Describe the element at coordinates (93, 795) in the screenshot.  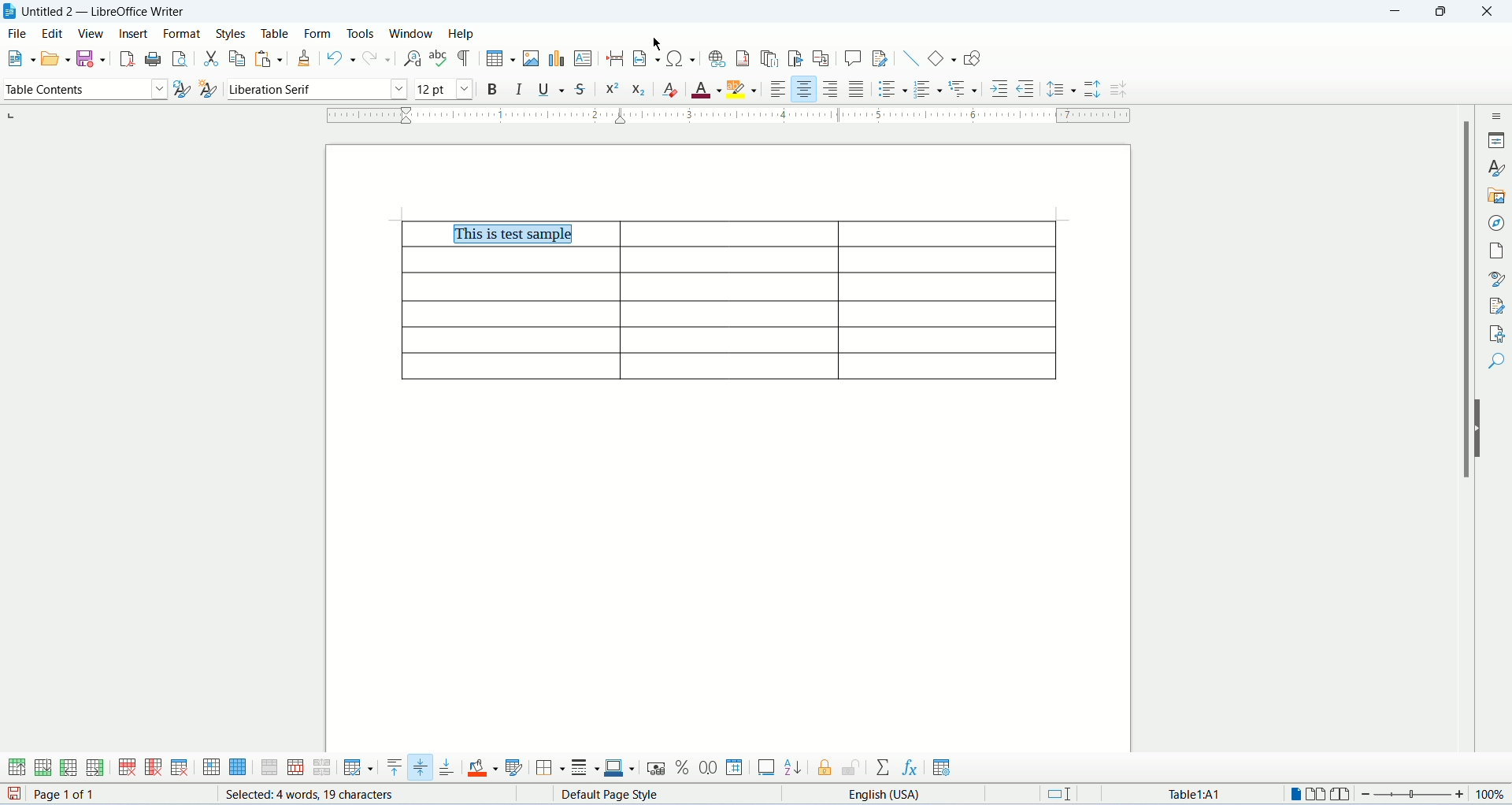
I see `page count` at that location.